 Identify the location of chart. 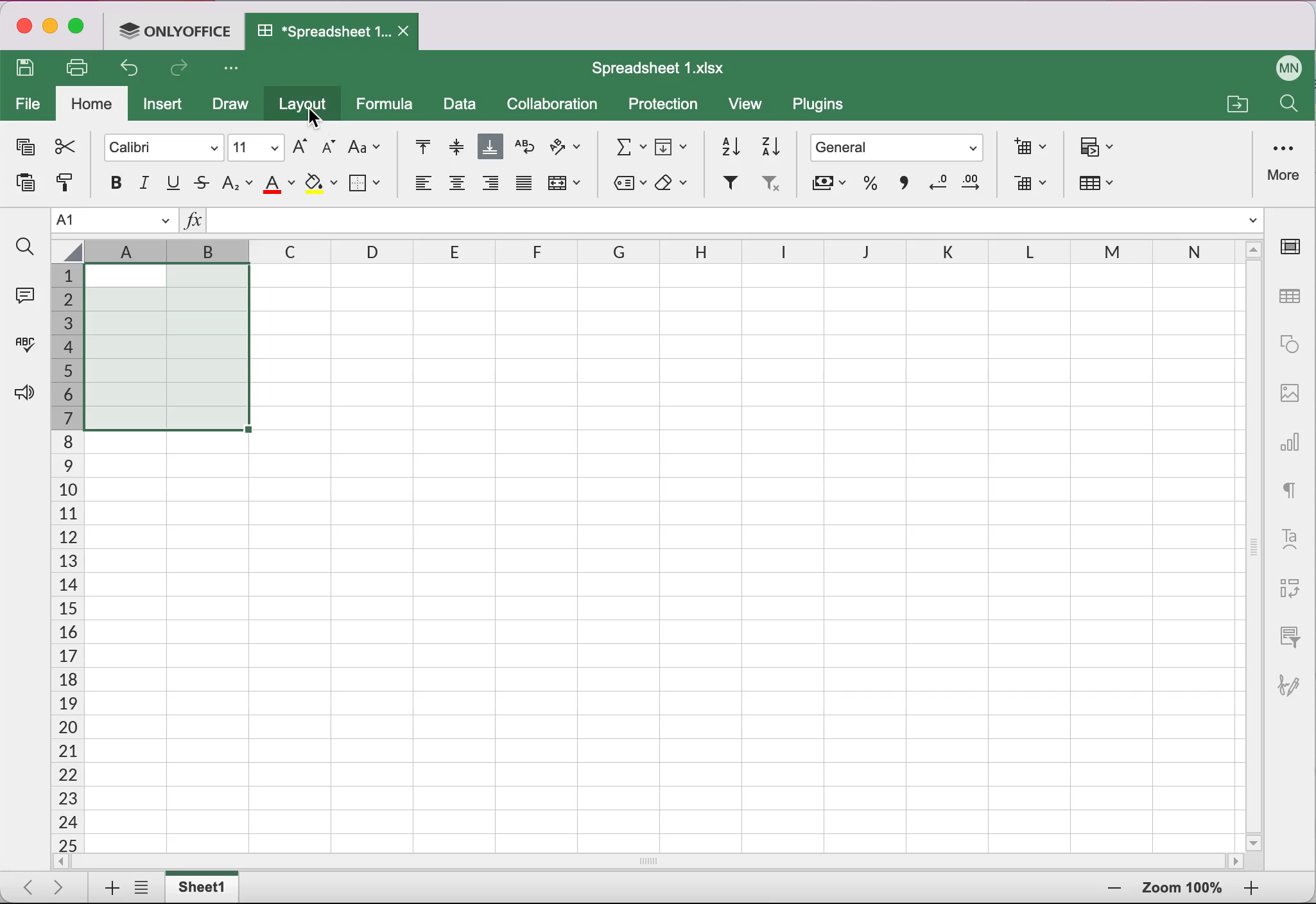
(1292, 437).